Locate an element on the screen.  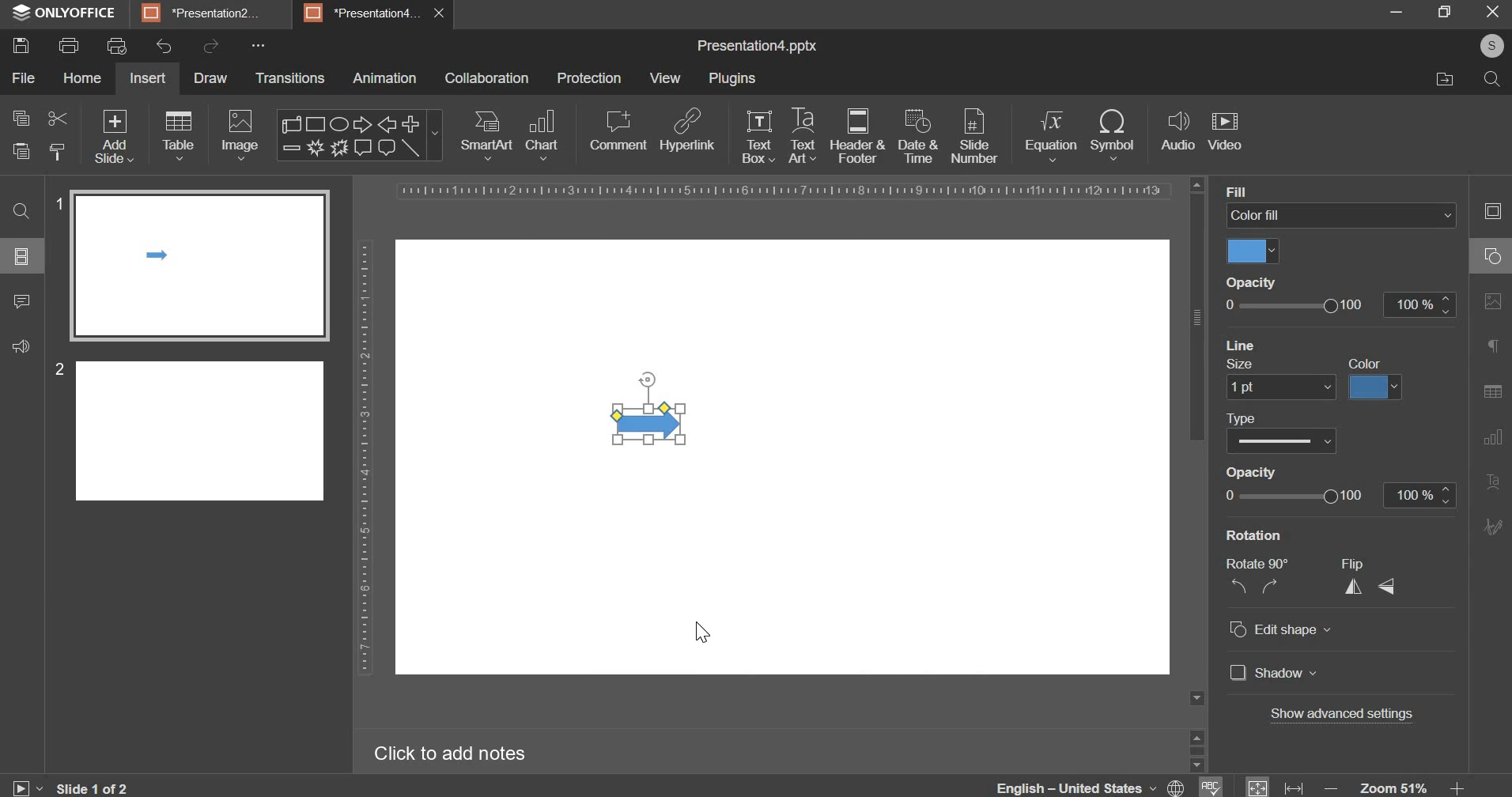
right side bar is located at coordinates (1489, 365).